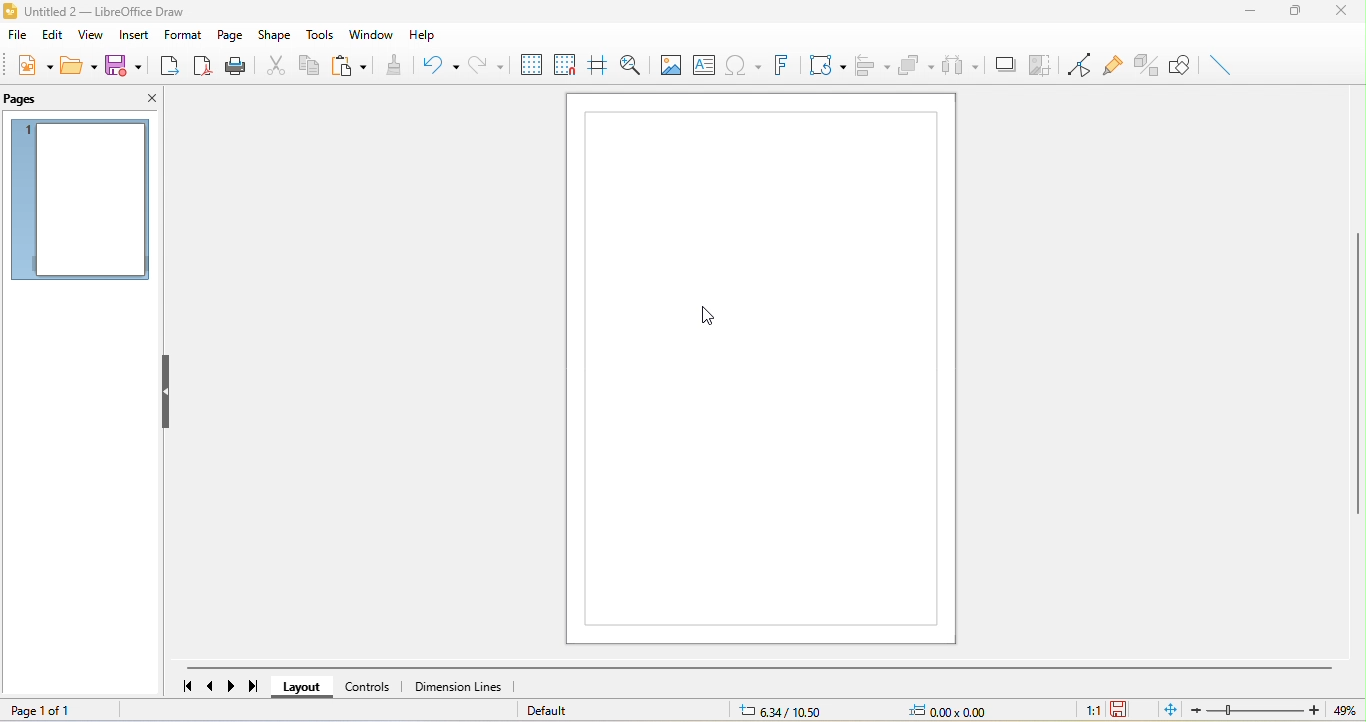 The image size is (1366, 722). What do you see at coordinates (1003, 63) in the screenshot?
I see `shadow` at bounding box center [1003, 63].